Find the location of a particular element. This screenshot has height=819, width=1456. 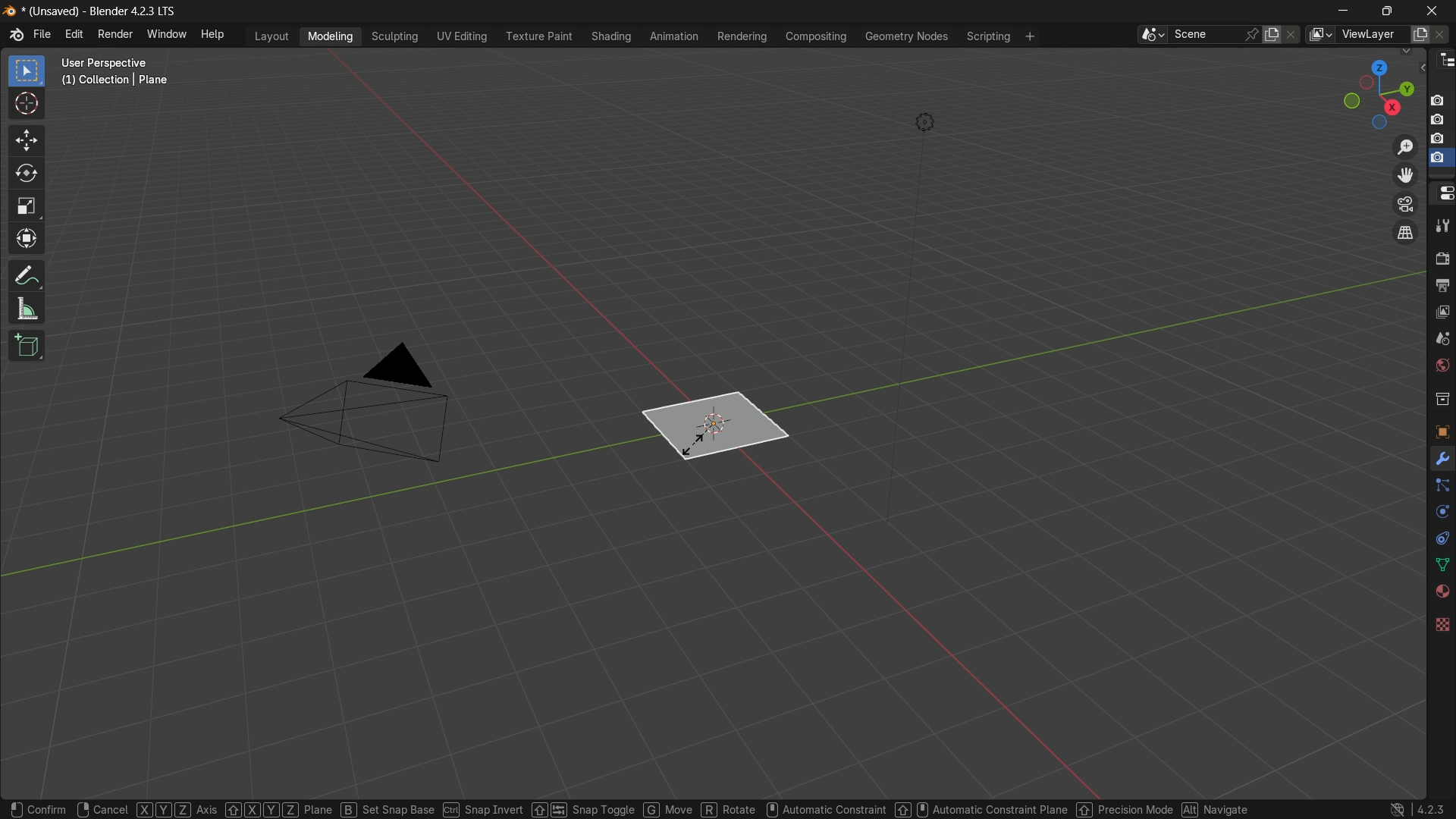

sculpting is located at coordinates (395, 37).